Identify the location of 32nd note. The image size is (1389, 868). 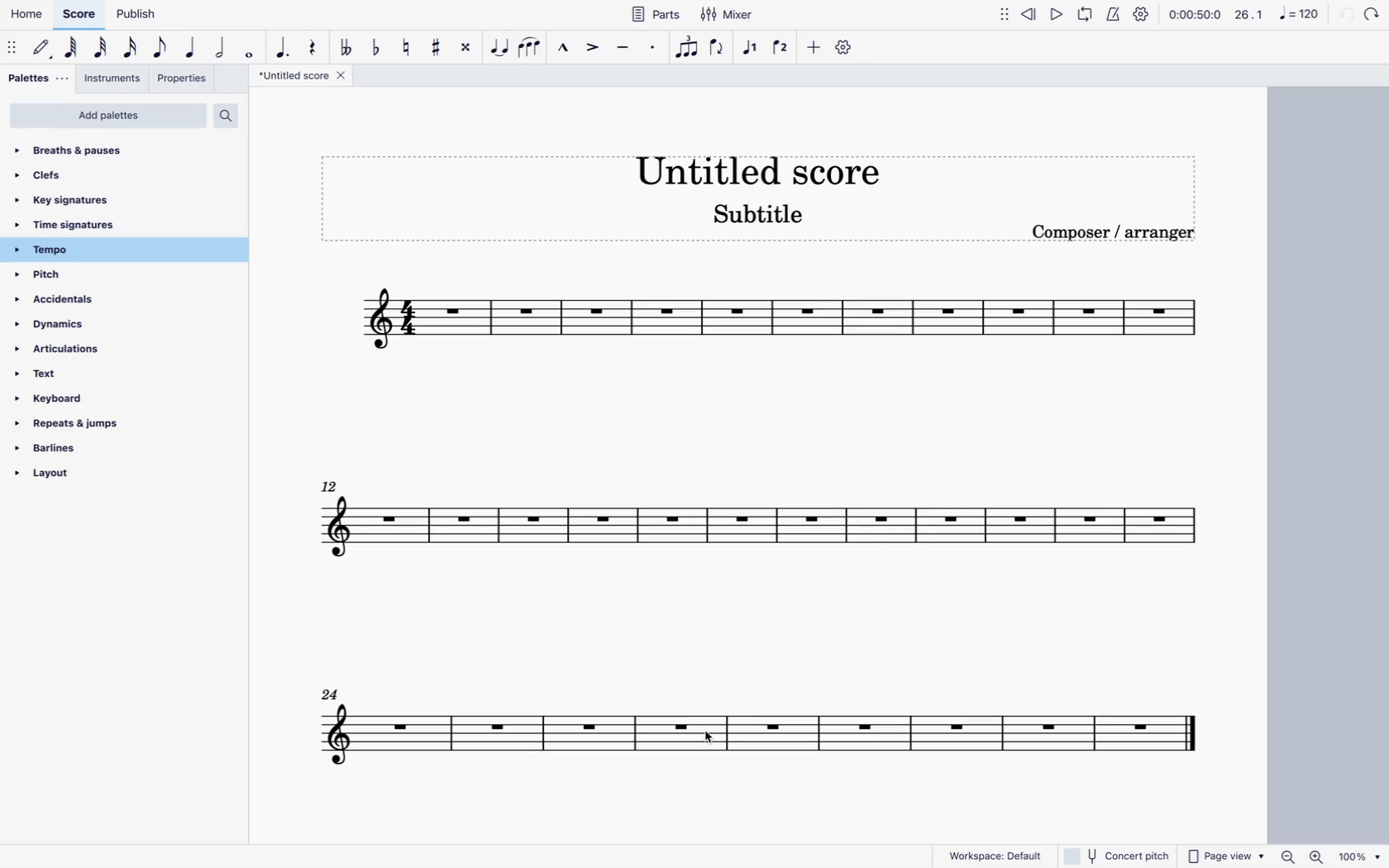
(102, 49).